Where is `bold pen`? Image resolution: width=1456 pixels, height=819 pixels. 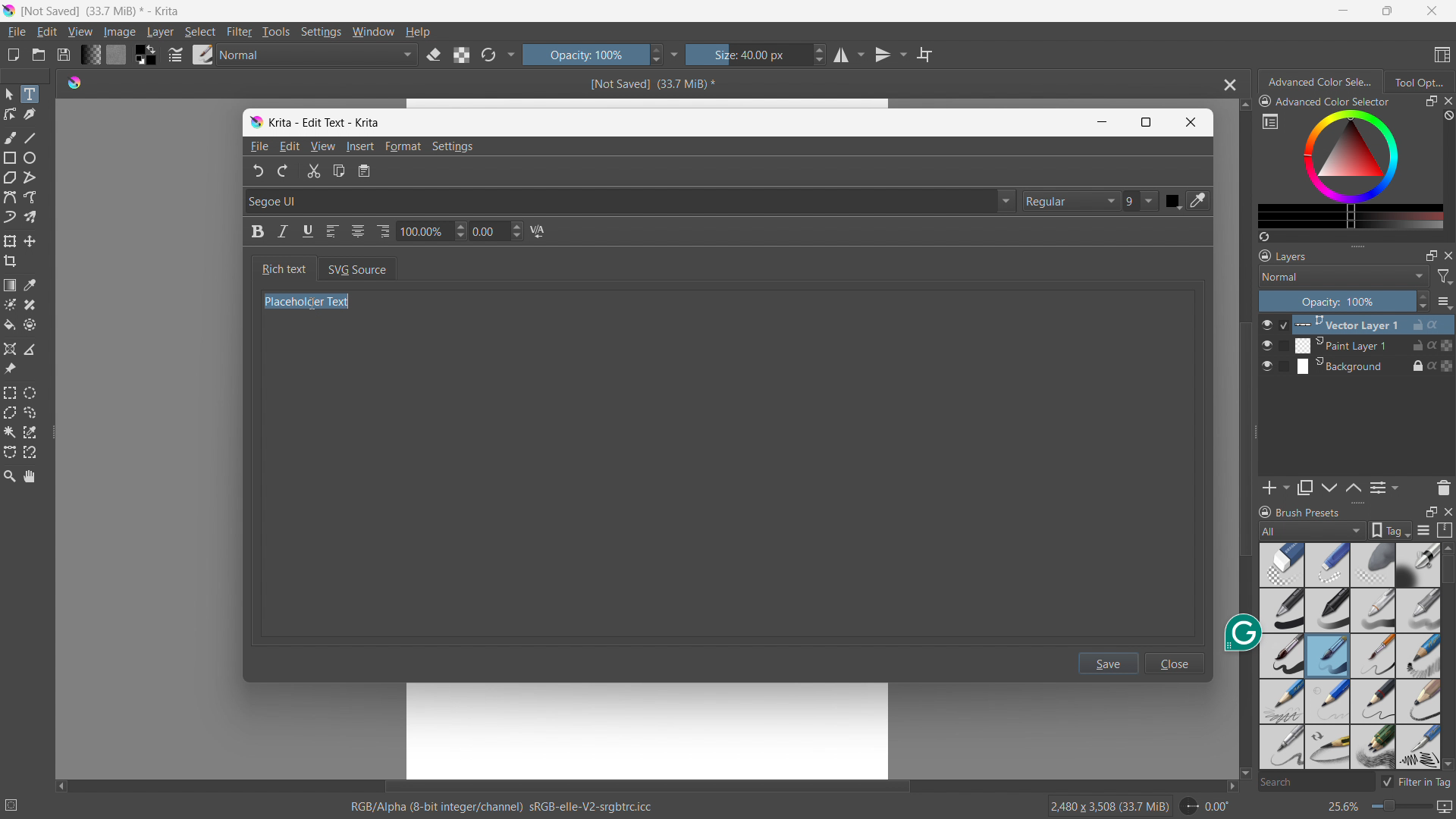 bold pen is located at coordinates (1281, 611).